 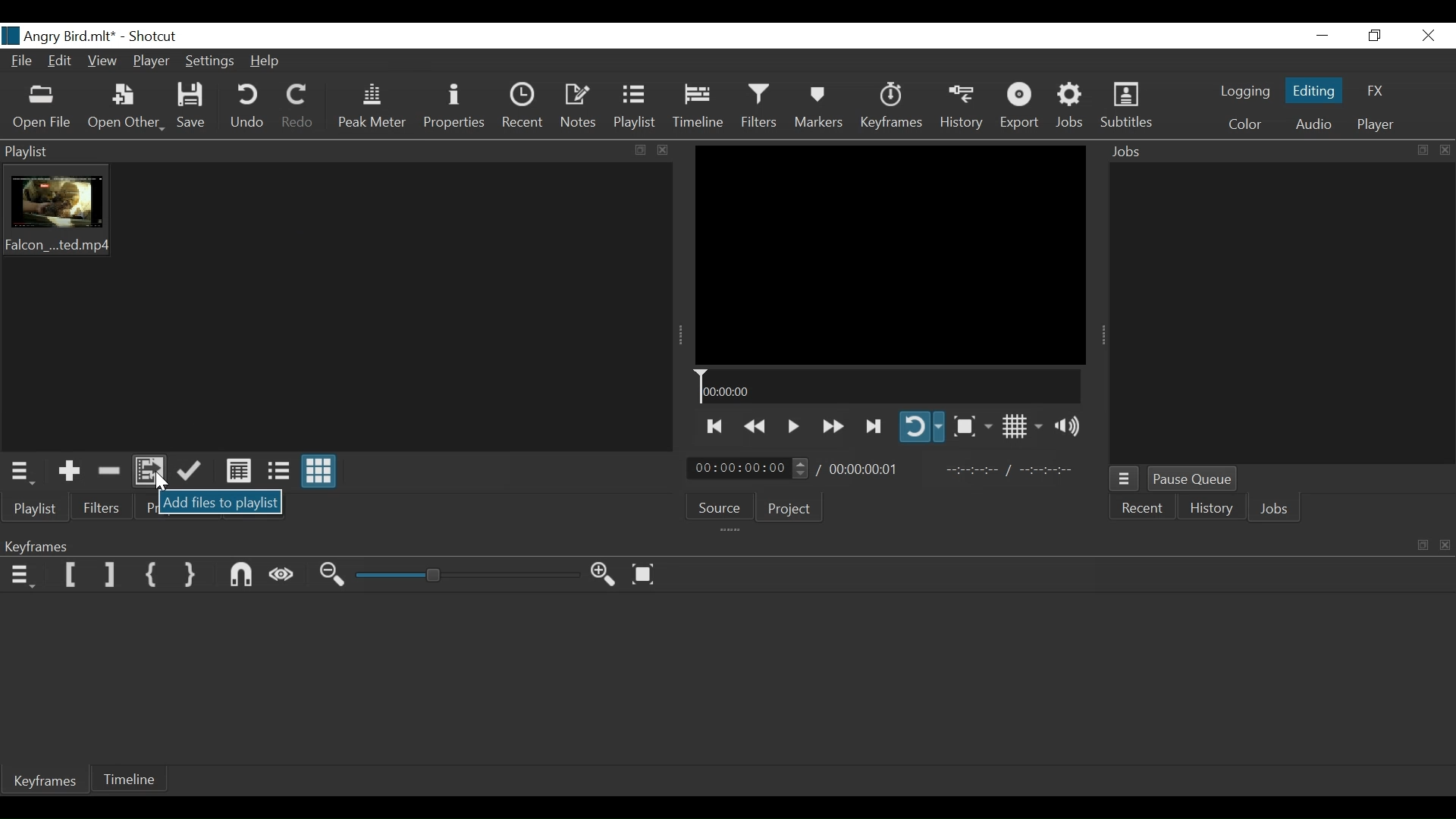 I want to click on Toggle play or pause (space), so click(x=792, y=425).